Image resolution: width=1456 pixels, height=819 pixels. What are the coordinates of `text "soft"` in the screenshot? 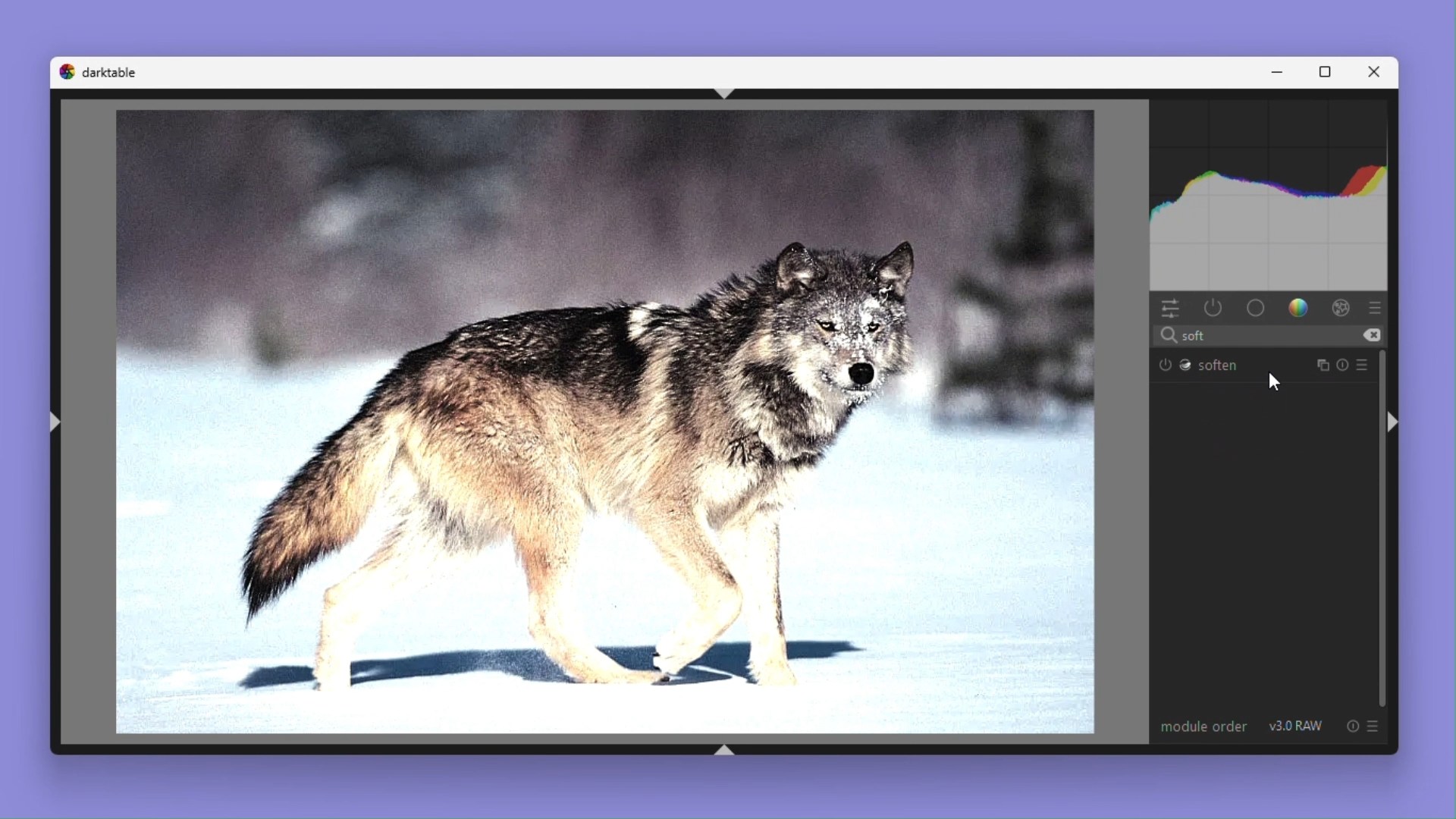 It's located at (1188, 336).